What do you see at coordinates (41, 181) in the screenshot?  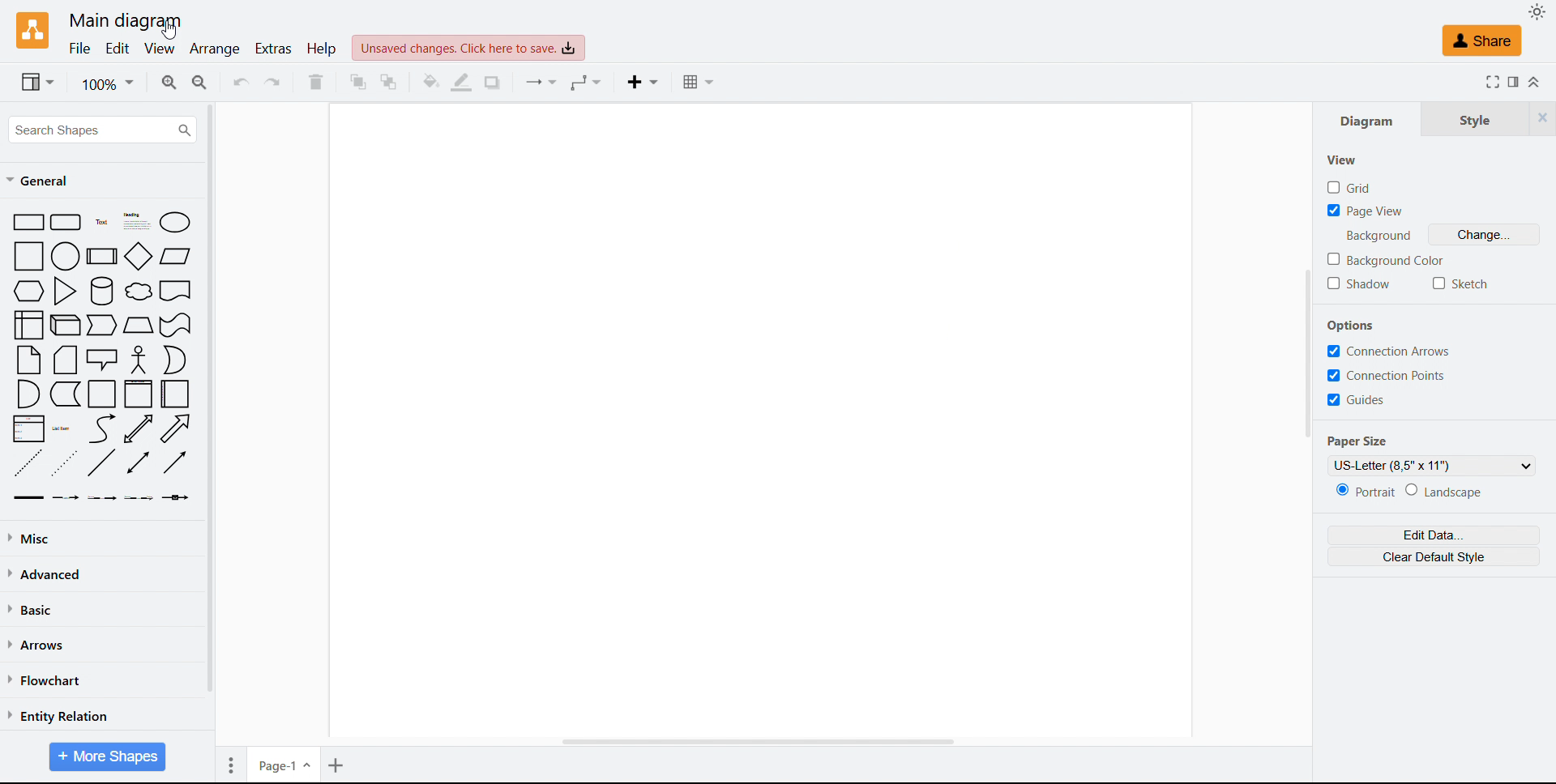 I see `General ` at bounding box center [41, 181].